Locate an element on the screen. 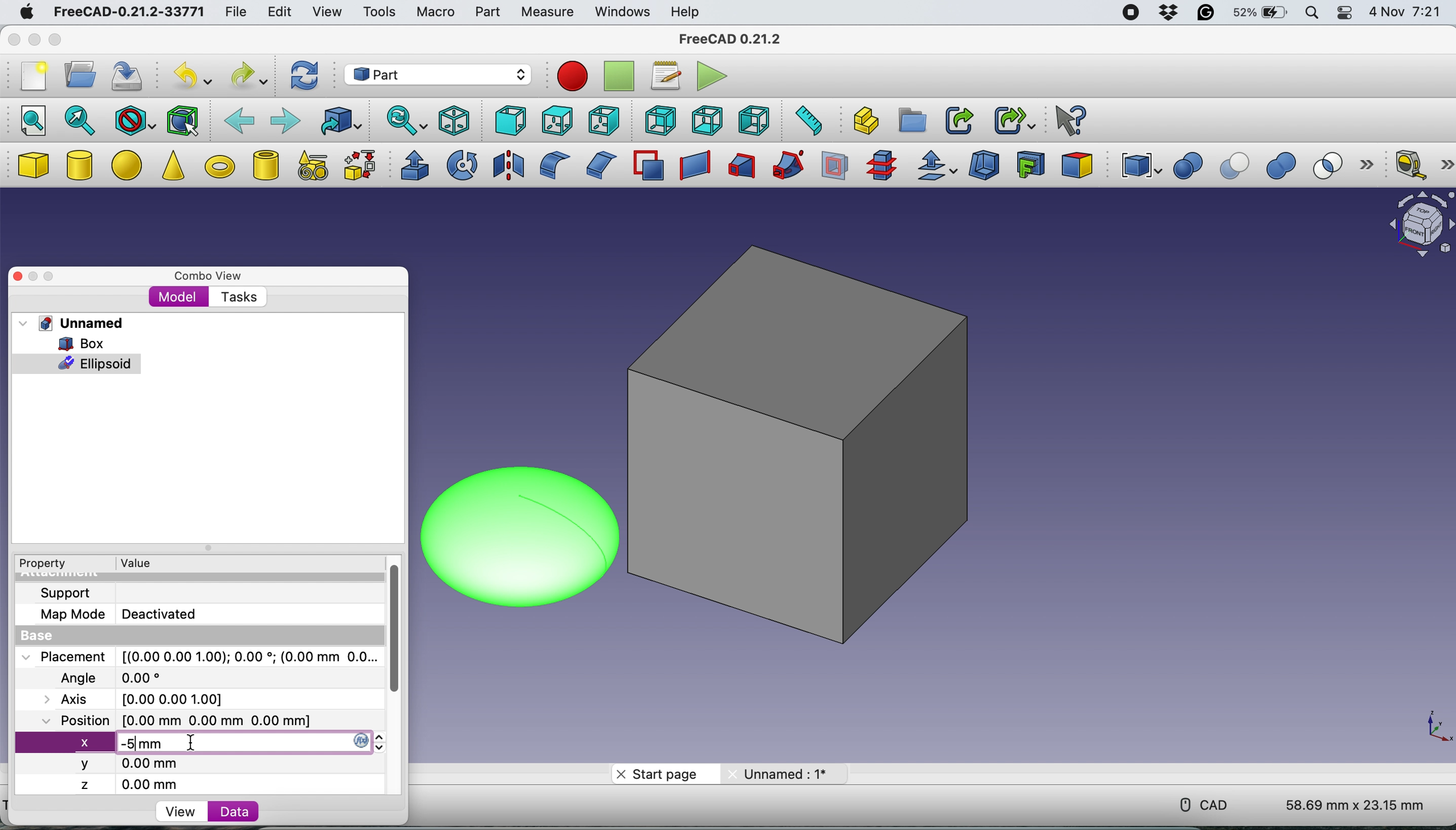 This screenshot has height=830, width=1456. model is located at coordinates (178, 296).